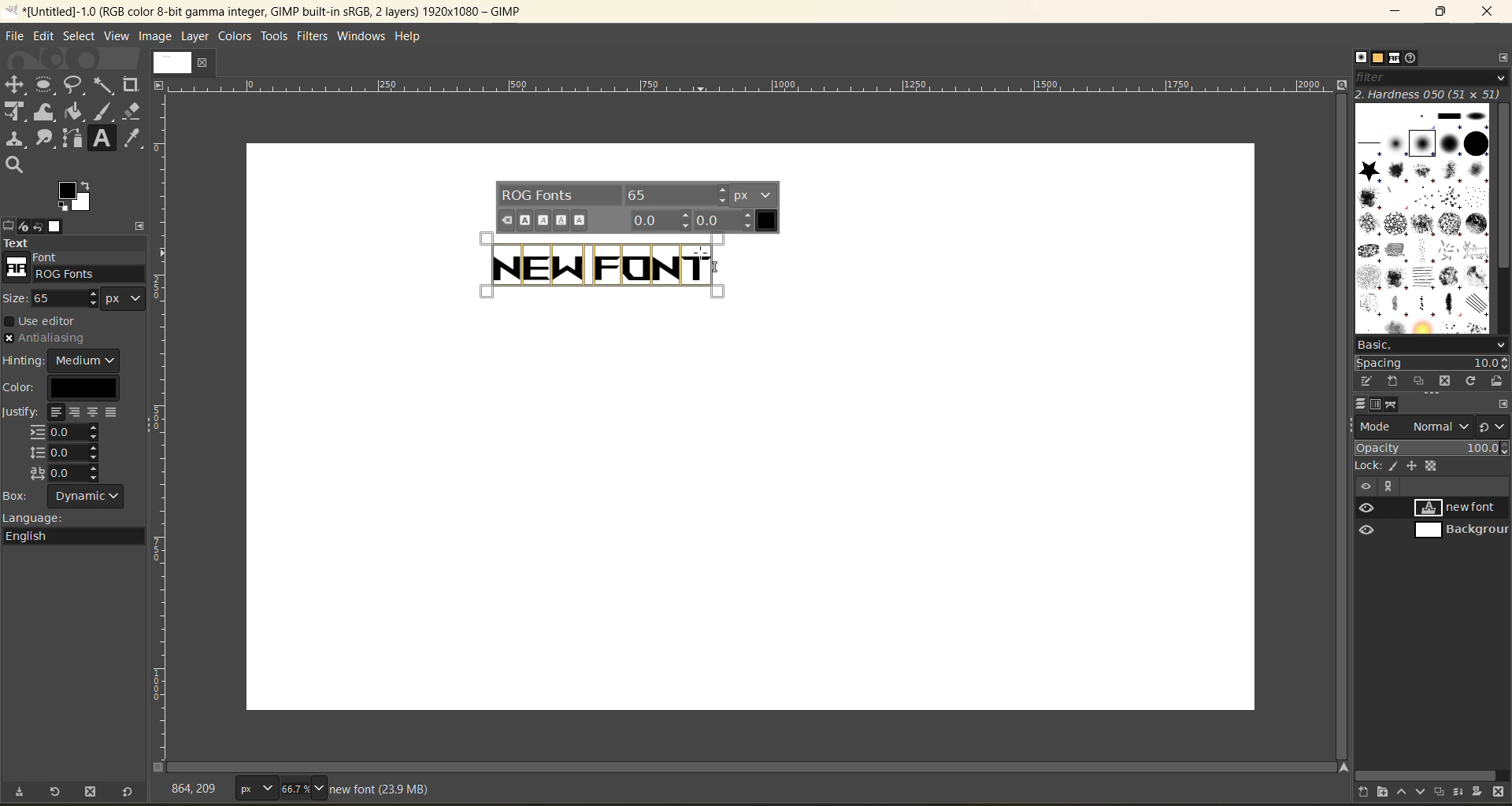 This screenshot has height=806, width=1512. What do you see at coordinates (1422, 381) in the screenshot?
I see `duplicate this brush` at bounding box center [1422, 381].